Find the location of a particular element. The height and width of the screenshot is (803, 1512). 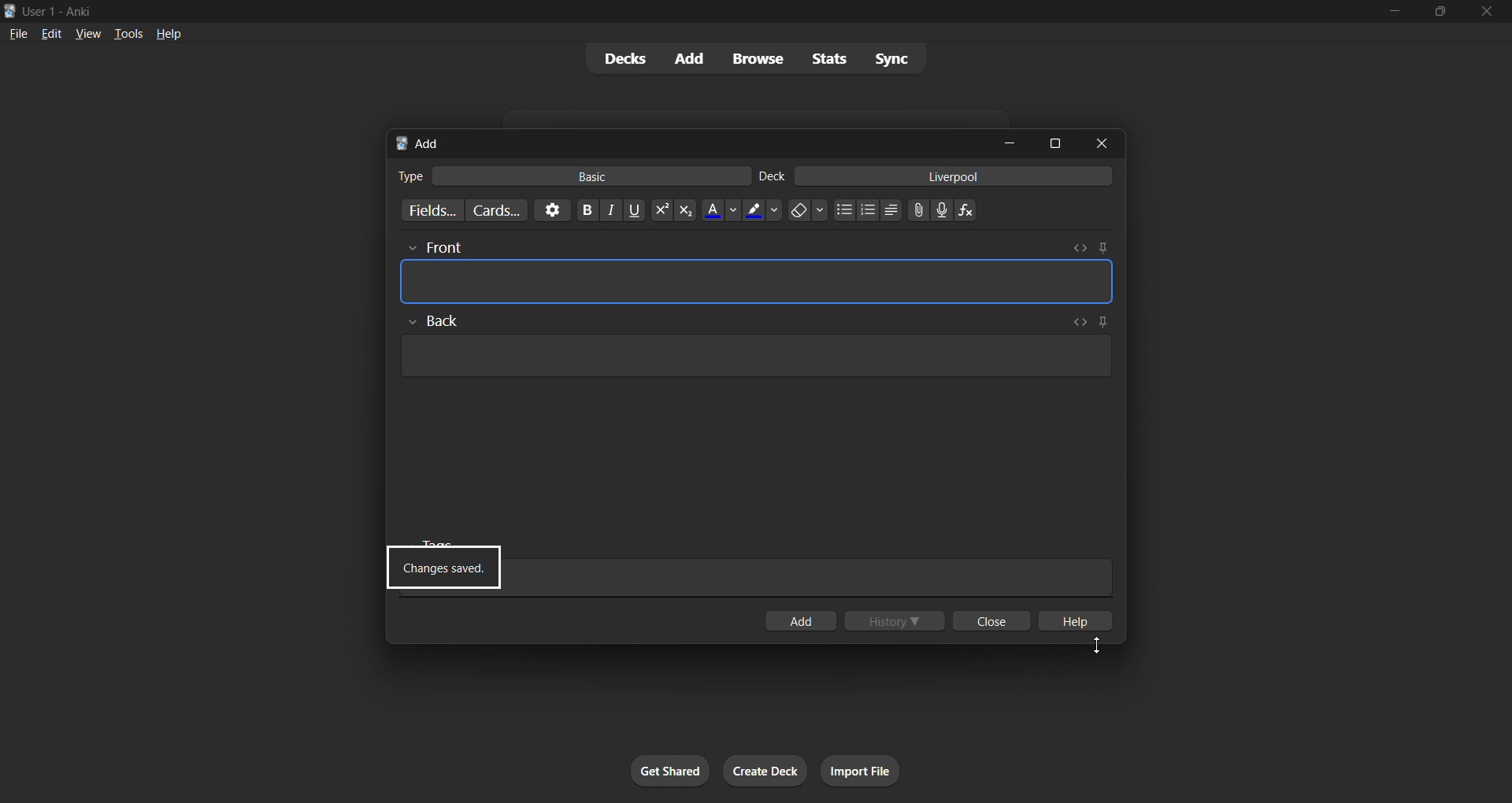

type is located at coordinates (409, 176).